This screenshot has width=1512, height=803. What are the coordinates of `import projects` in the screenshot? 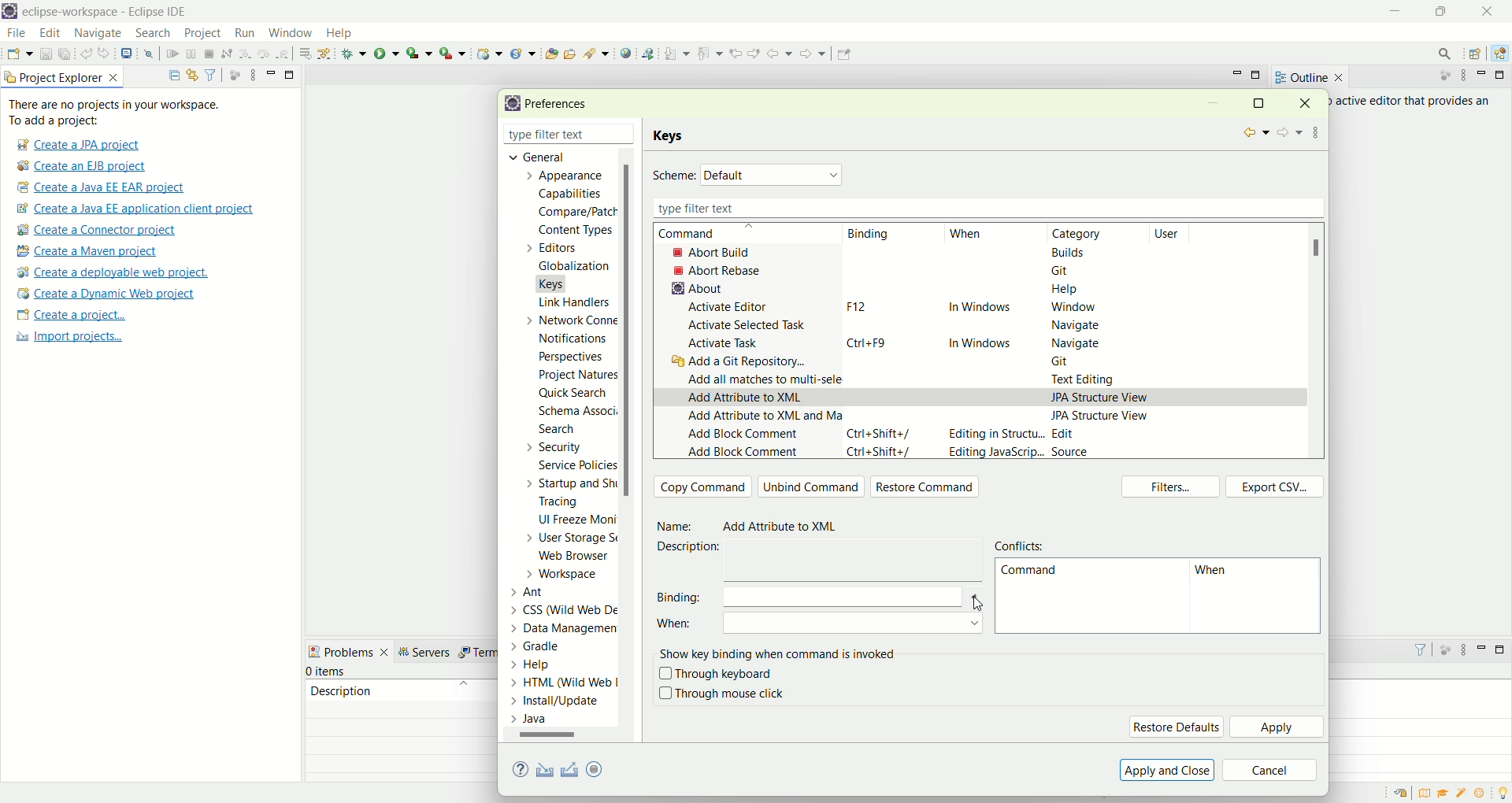 It's located at (67, 337).